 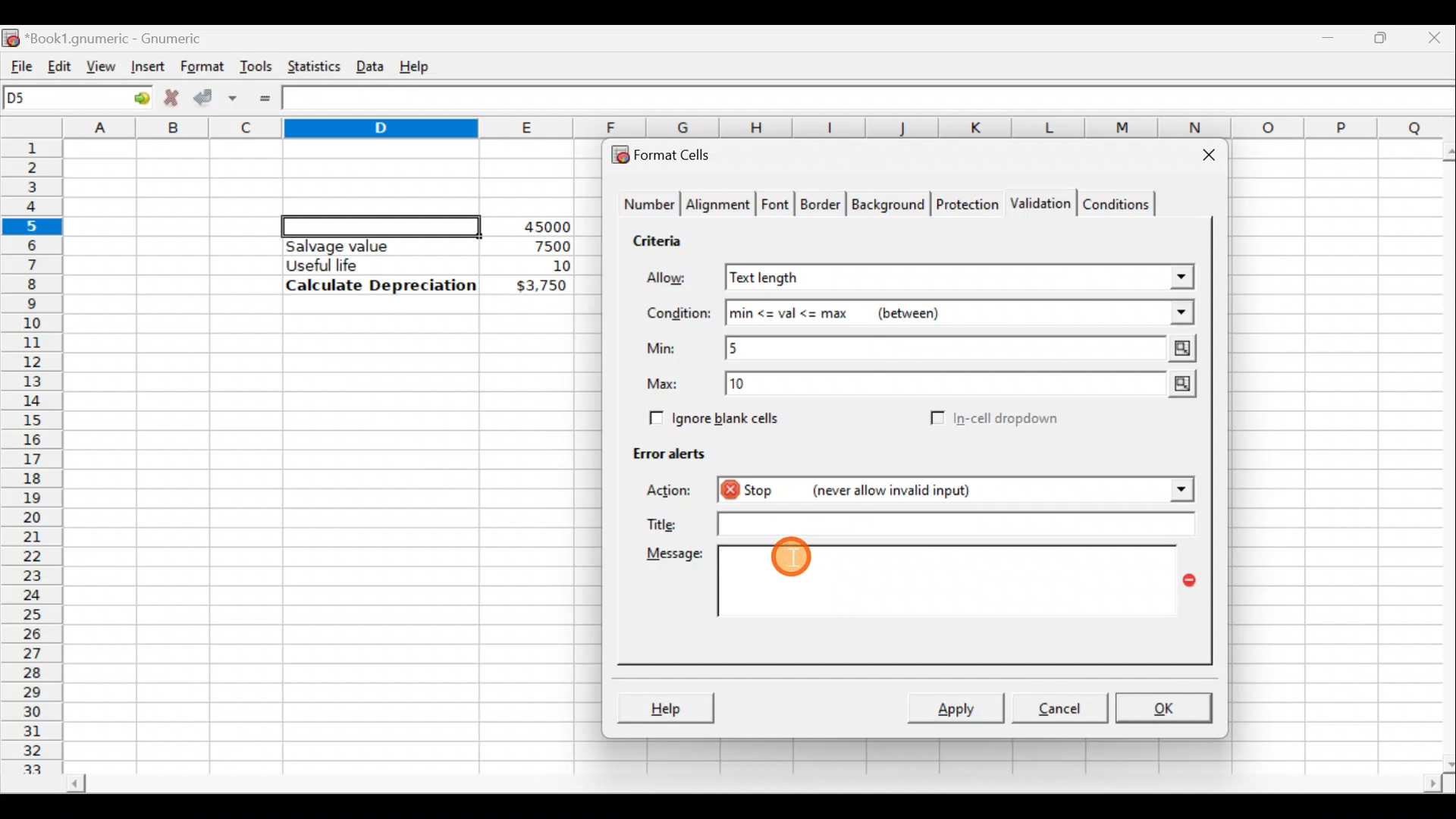 I want to click on $3,750, so click(x=540, y=287).